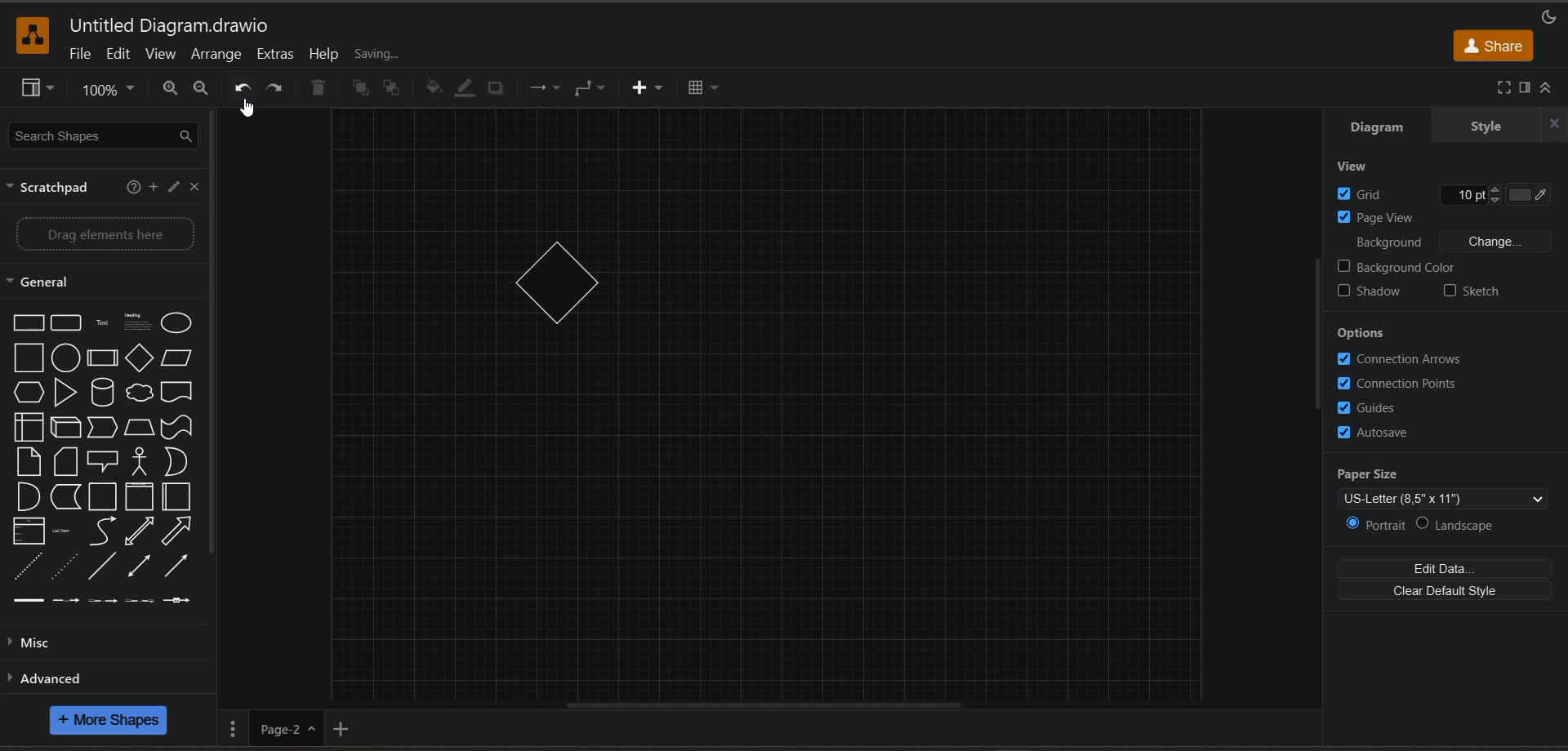 Image resolution: width=1568 pixels, height=751 pixels. What do you see at coordinates (1453, 193) in the screenshot?
I see `grid` at bounding box center [1453, 193].